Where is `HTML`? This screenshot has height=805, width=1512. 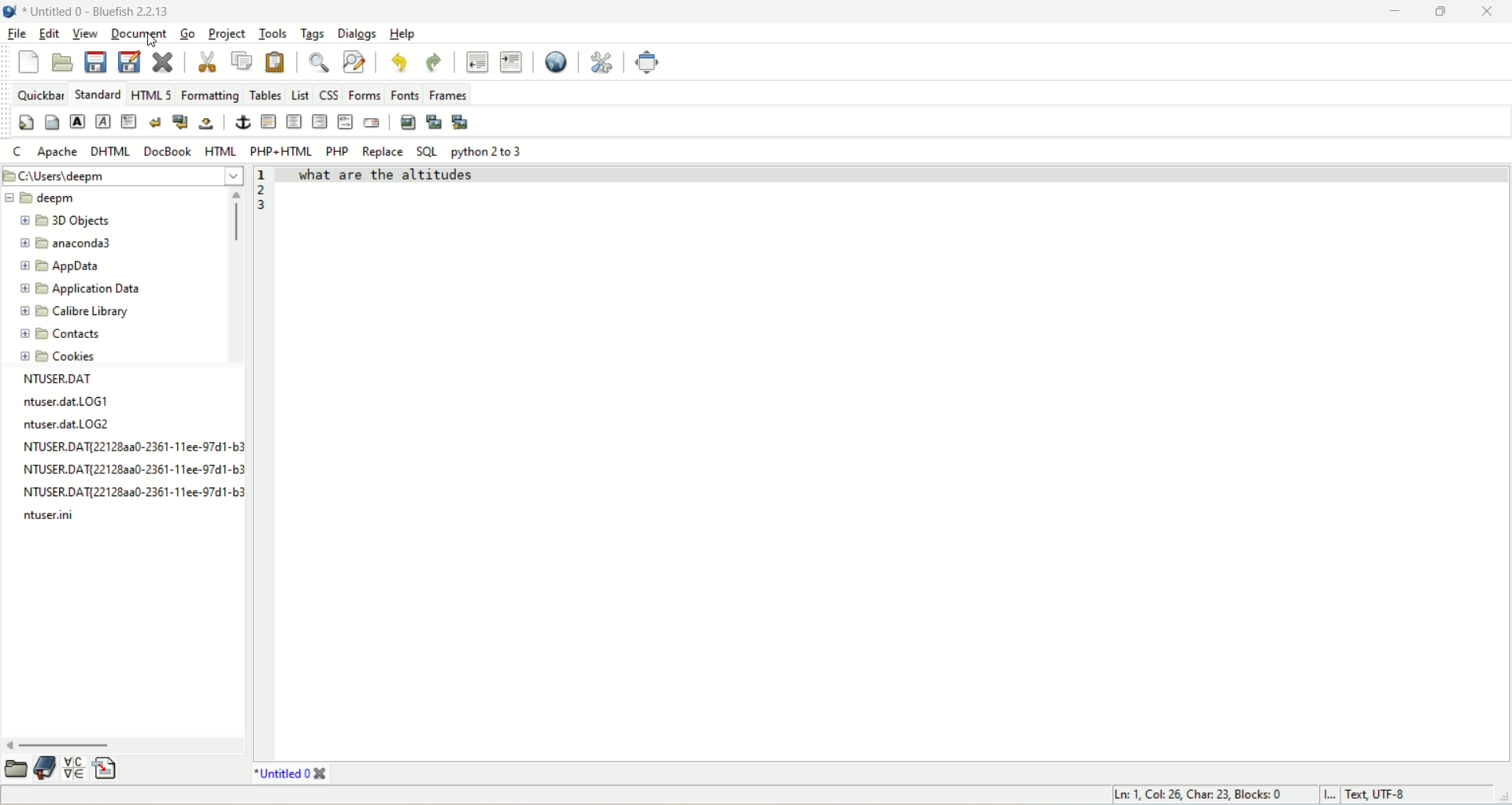 HTML is located at coordinates (152, 95).